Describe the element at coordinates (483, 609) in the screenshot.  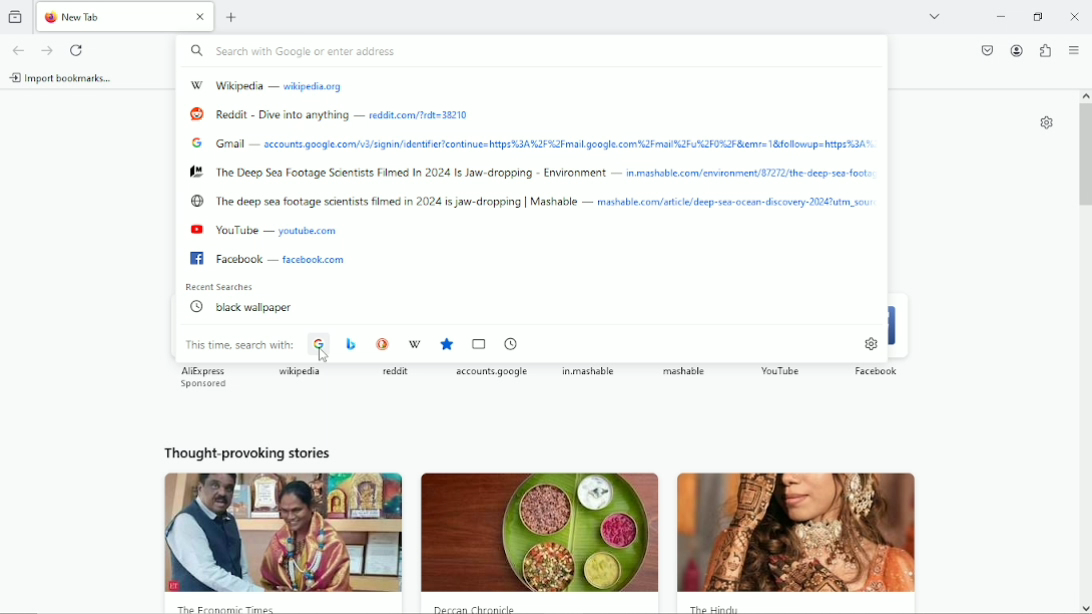
I see `deccan chronicle` at that location.